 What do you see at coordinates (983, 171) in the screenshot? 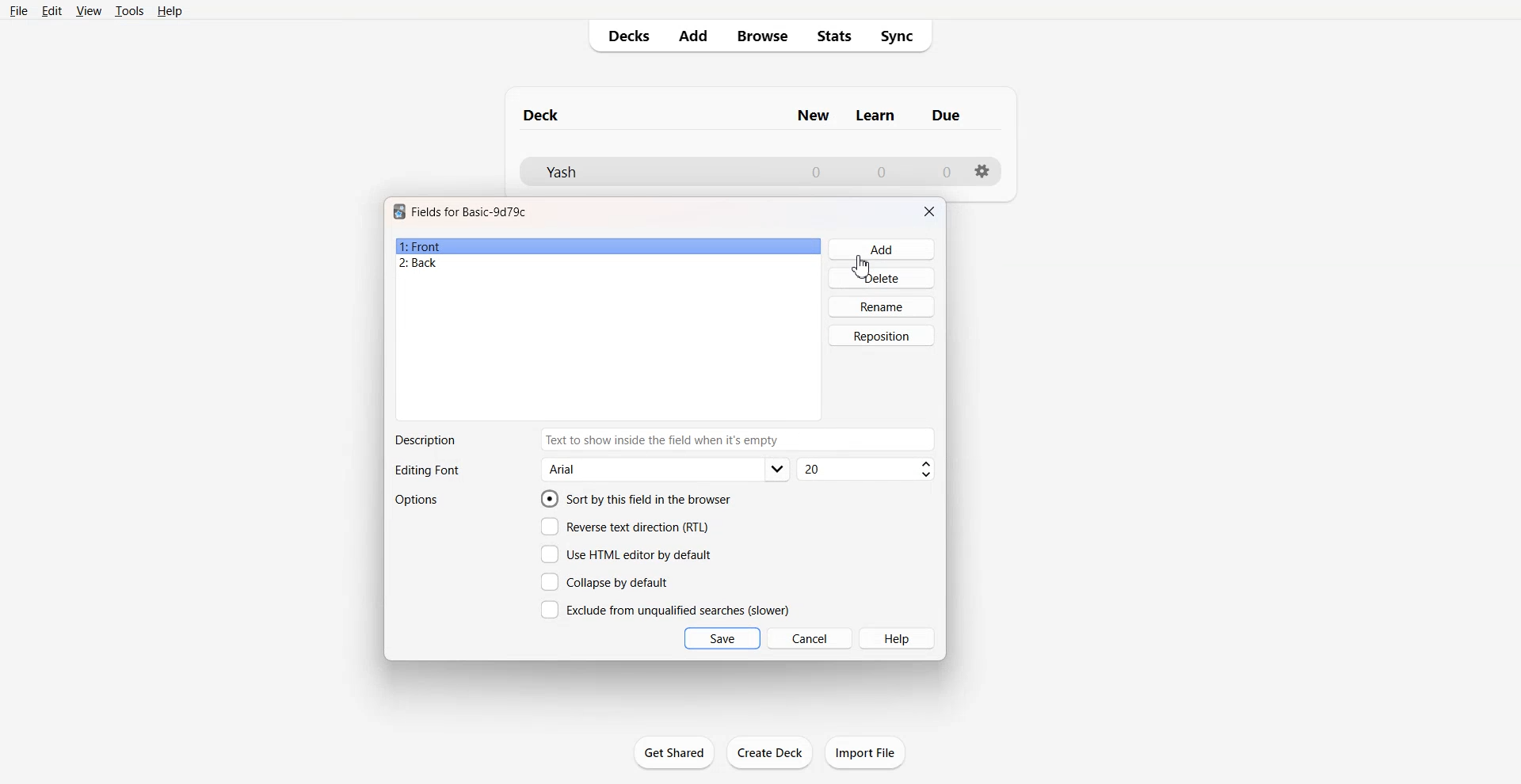
I see `Settings` at bounding box center [983, 171].